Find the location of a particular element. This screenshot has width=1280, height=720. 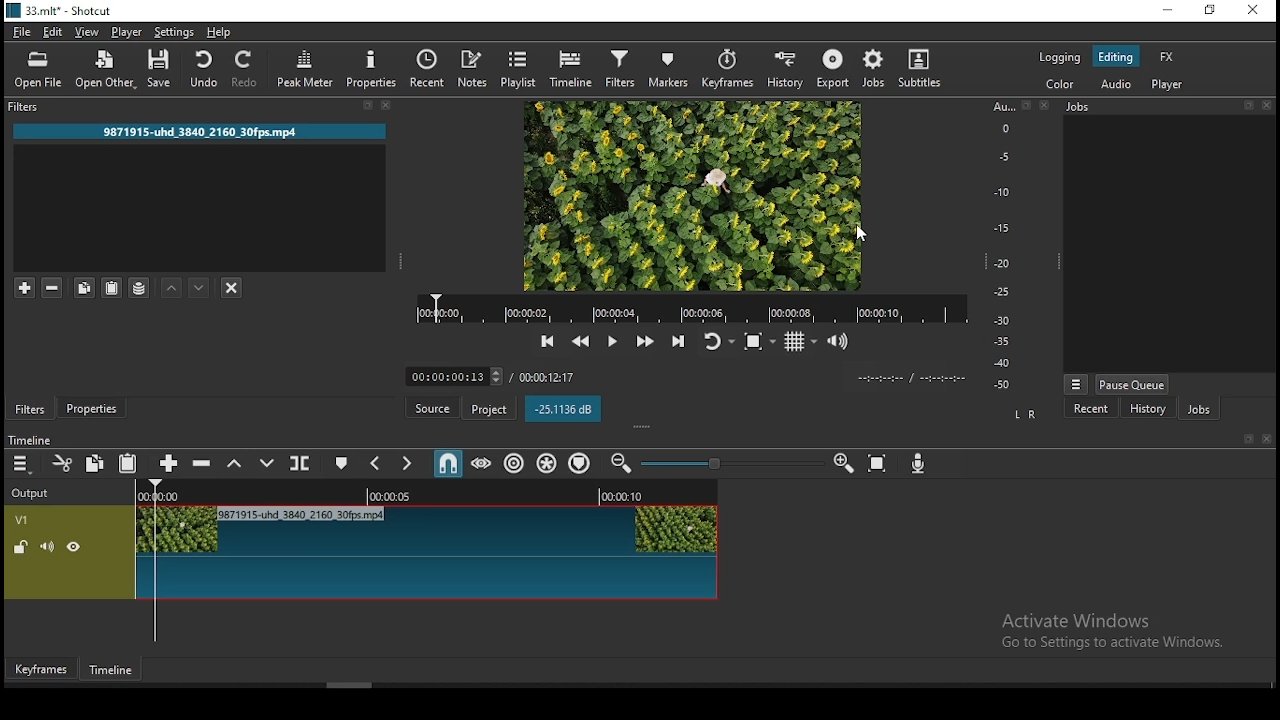

redo is located at coordinates (247, 70).